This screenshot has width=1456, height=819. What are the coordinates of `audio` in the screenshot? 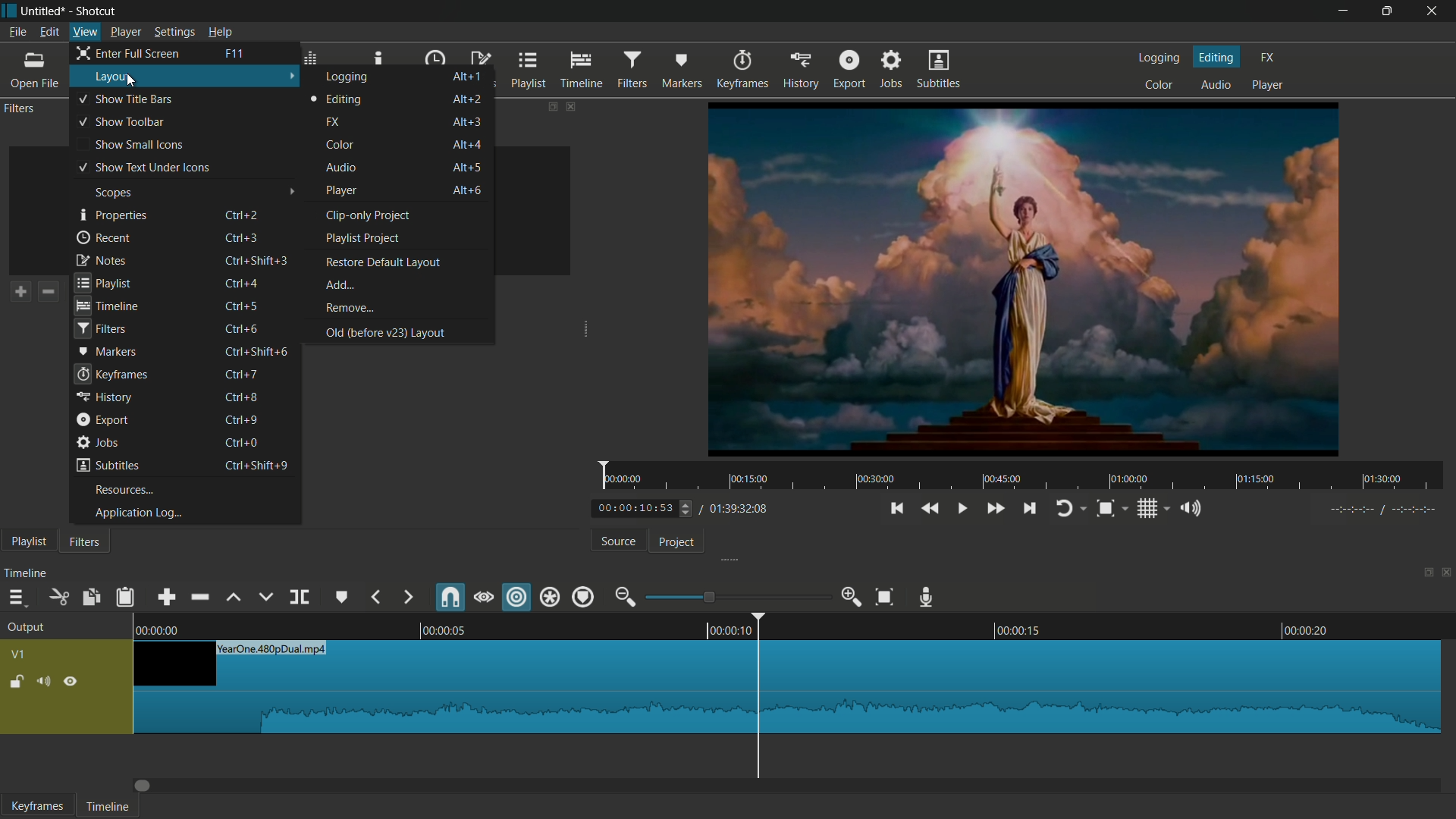 It's located at (340, 167).